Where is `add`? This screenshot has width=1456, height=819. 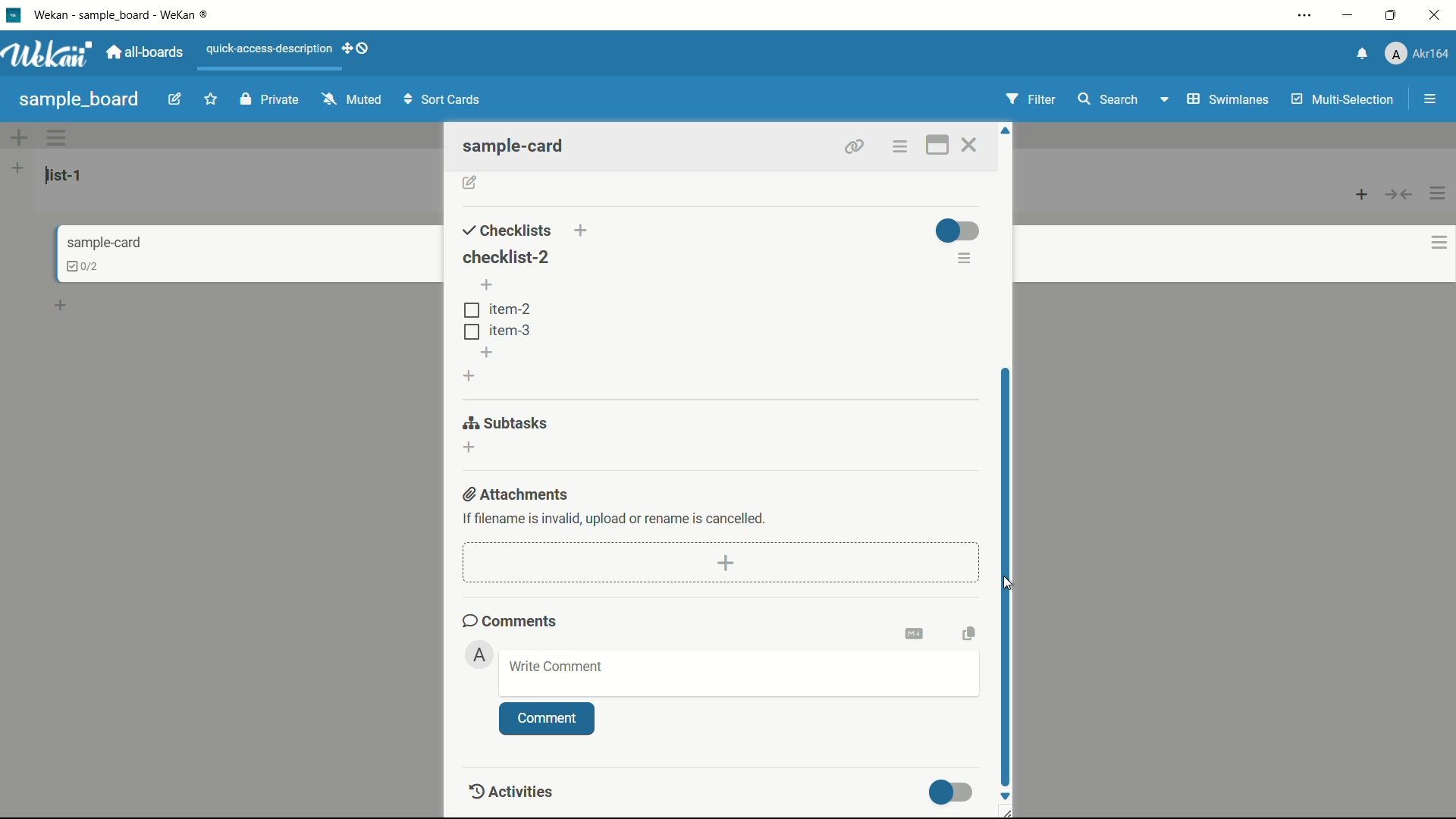 add is located at coordinates (63, 303).